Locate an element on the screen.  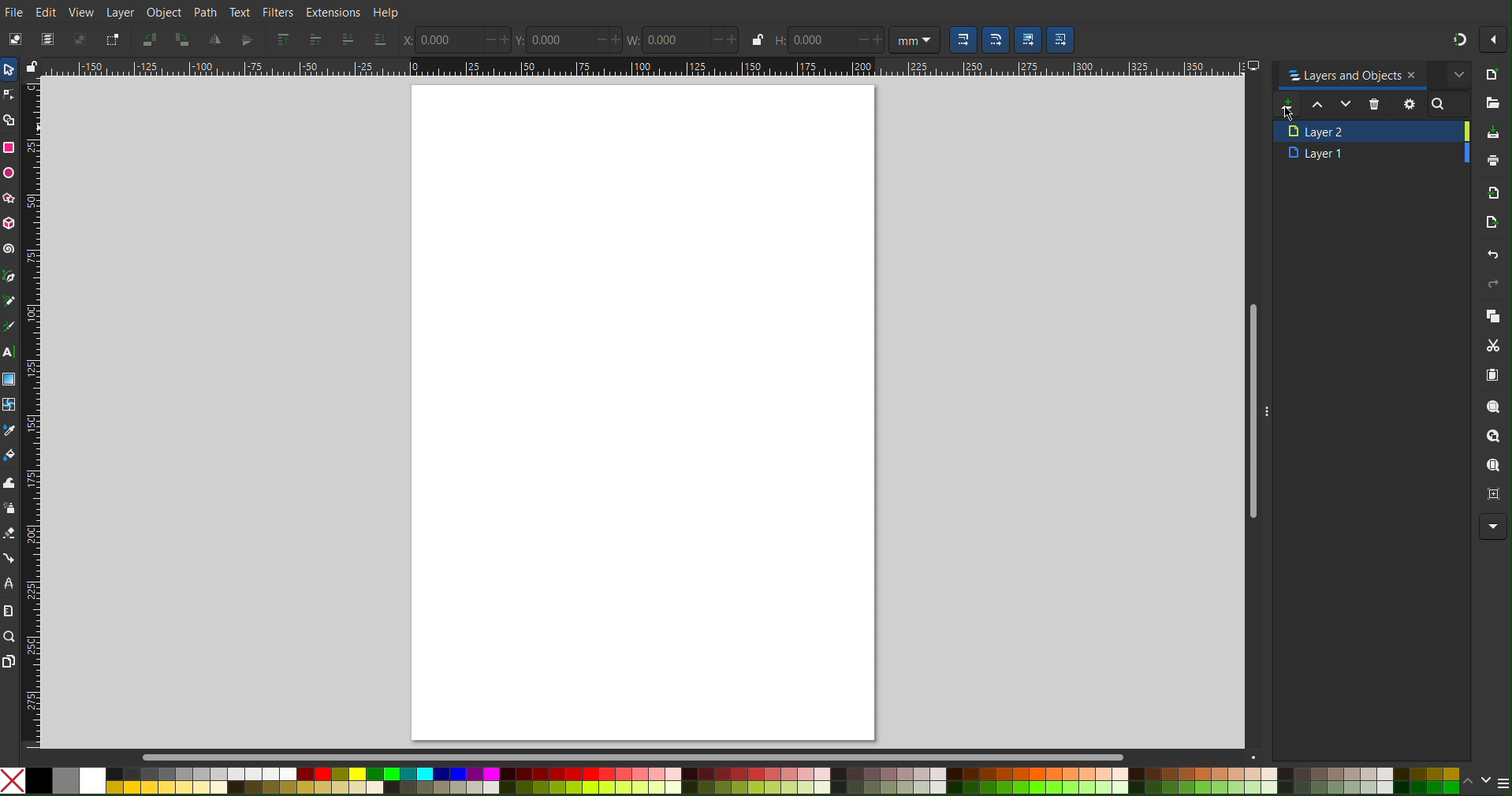
Mirror Horizontally is located at coordinates (247, 39).